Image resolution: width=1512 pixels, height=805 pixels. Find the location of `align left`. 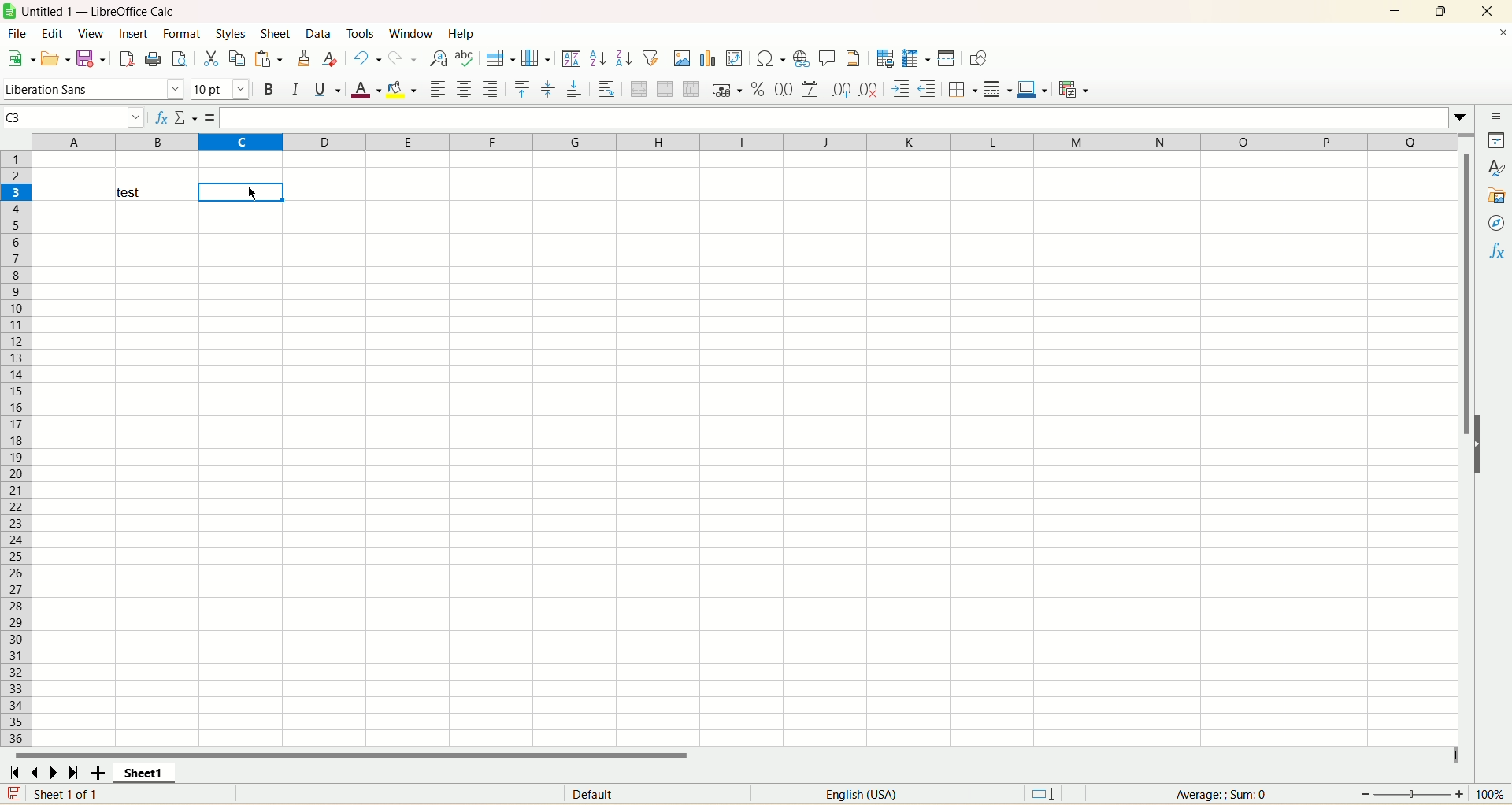

align left is located at coordinates (437, 89).